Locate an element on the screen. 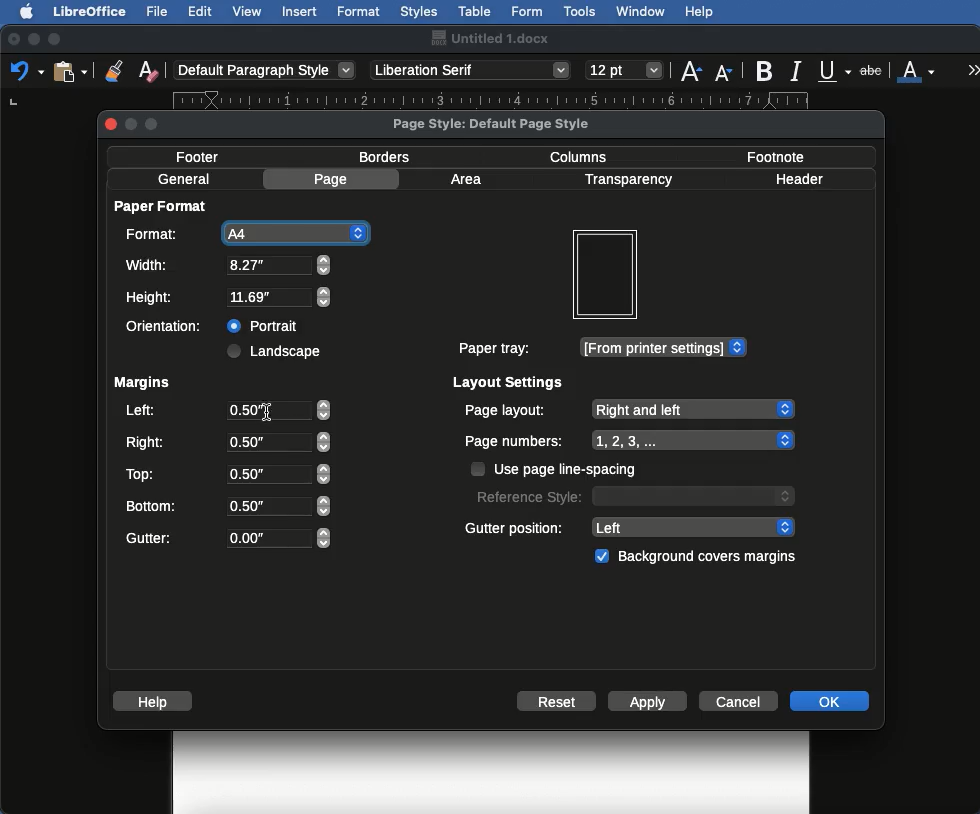 Image resolution: width=980 pixels, height=814 pixels. close is located at coordinates (113, 127).